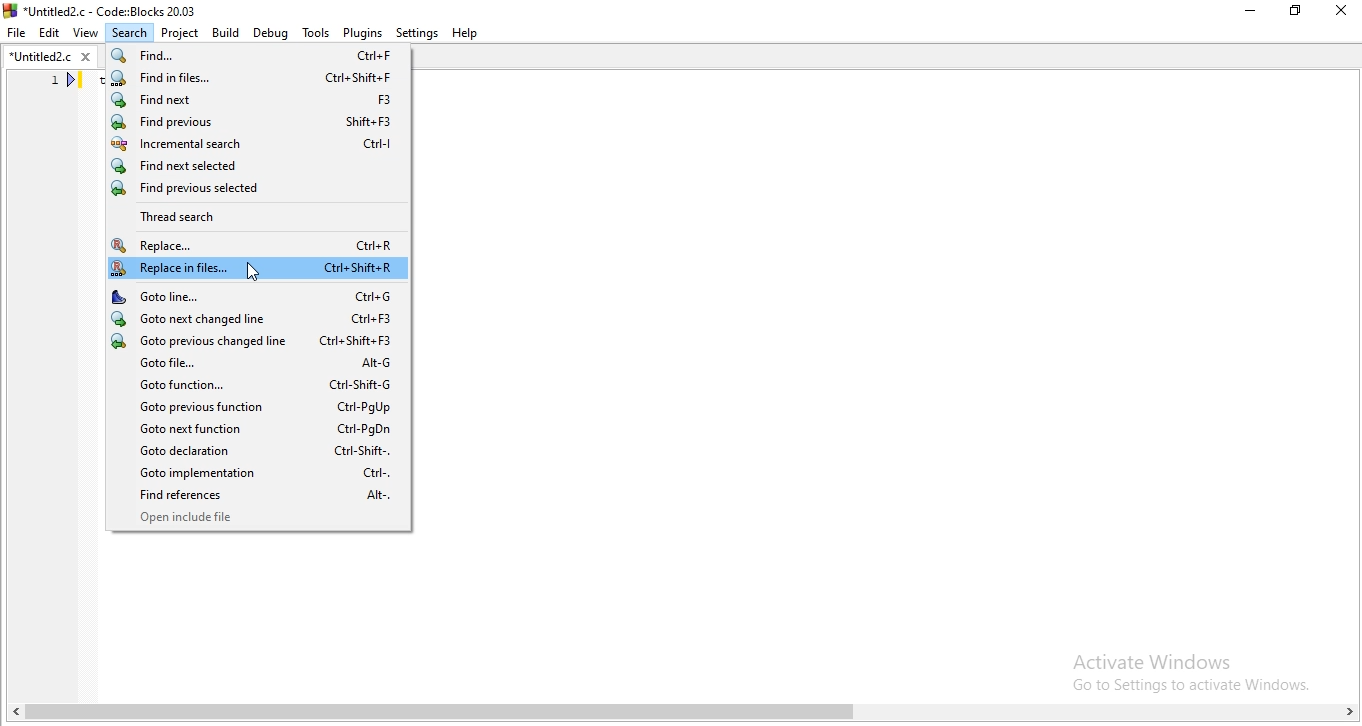 The height and width of the screenshot is (726, 1362). What do you see at coordinates (255, 246) in the screenshot?
I see `Replace..` at bounding box center [255, 246].